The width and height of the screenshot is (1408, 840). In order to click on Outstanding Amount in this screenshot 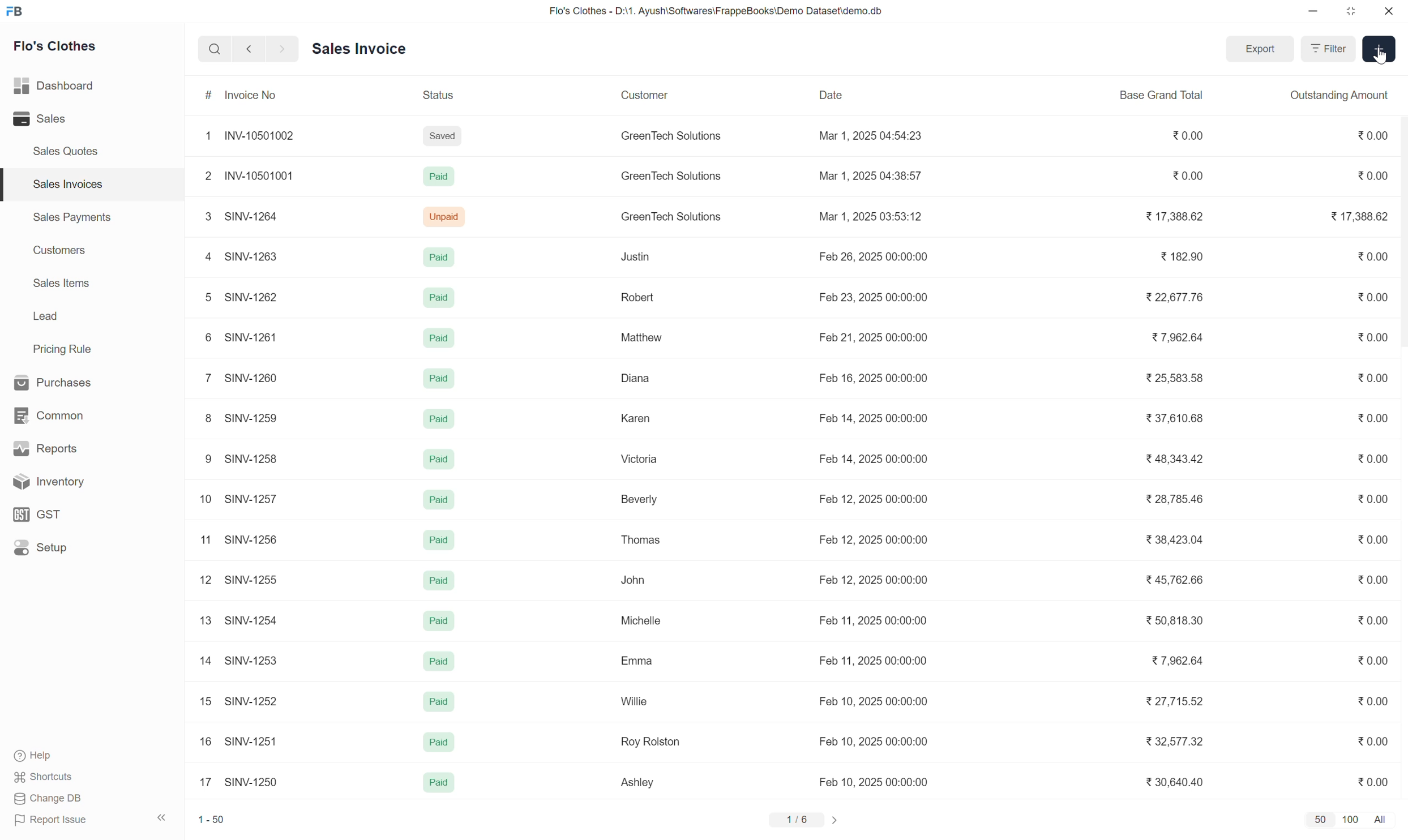, I will do `click(1336, 98)`.